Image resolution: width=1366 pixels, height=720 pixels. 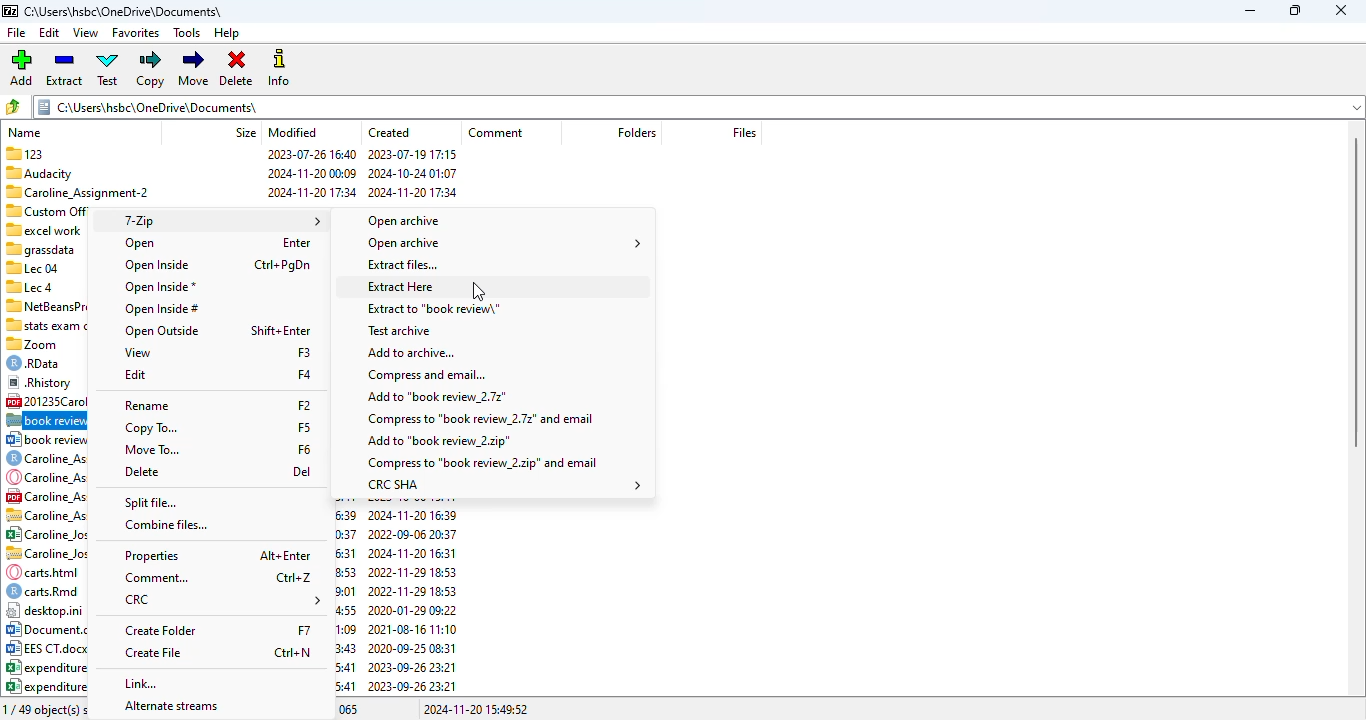 What do you see at coordinates (395, 595) in the screenshot?
I see `created date & time` at bounding box center [395, 595].